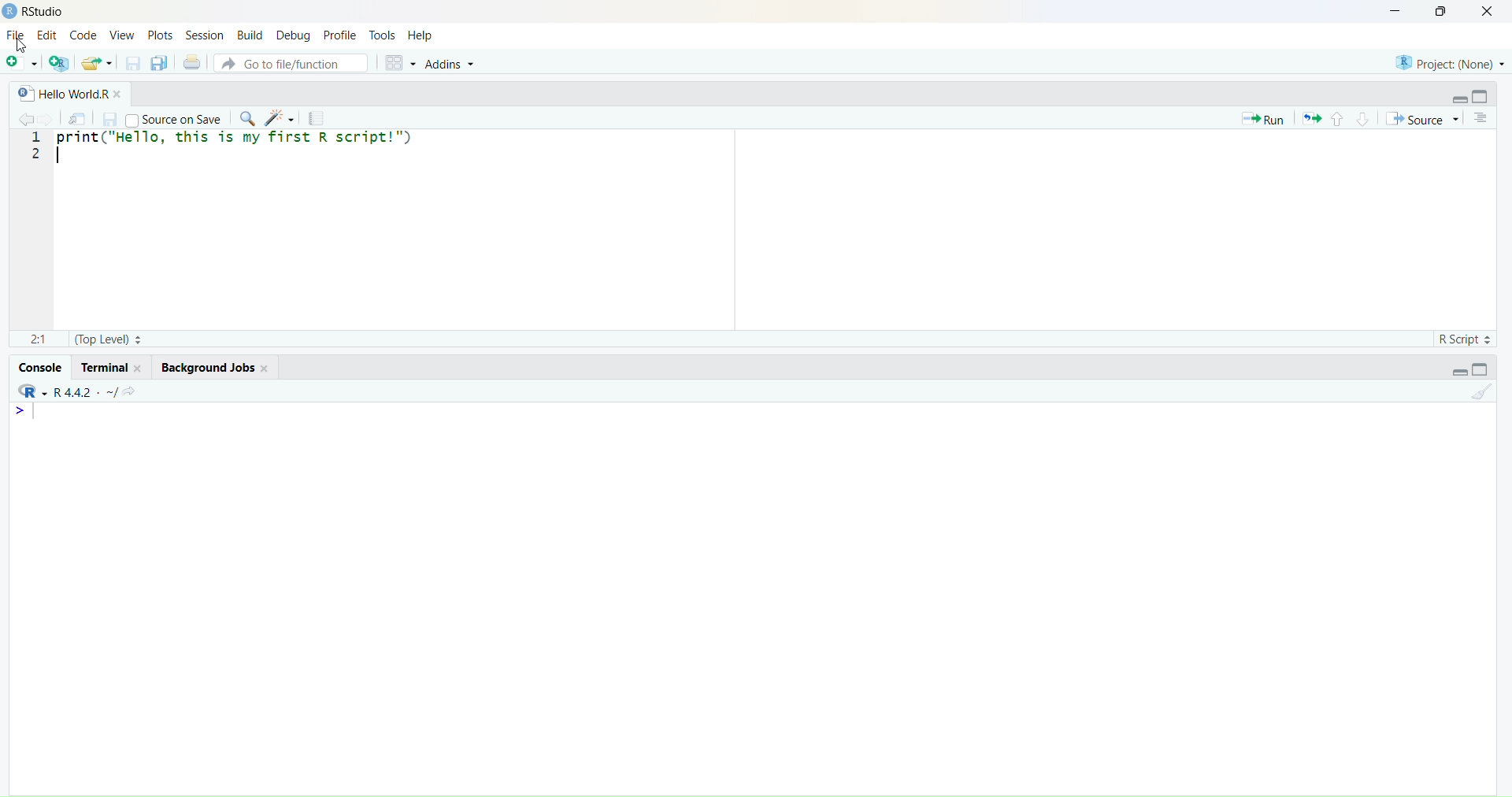 The height and width of the screenshot is (797, 1512). Describe the element at coordinates (38, 150) in the screenshot. I see `1 2` at that location.